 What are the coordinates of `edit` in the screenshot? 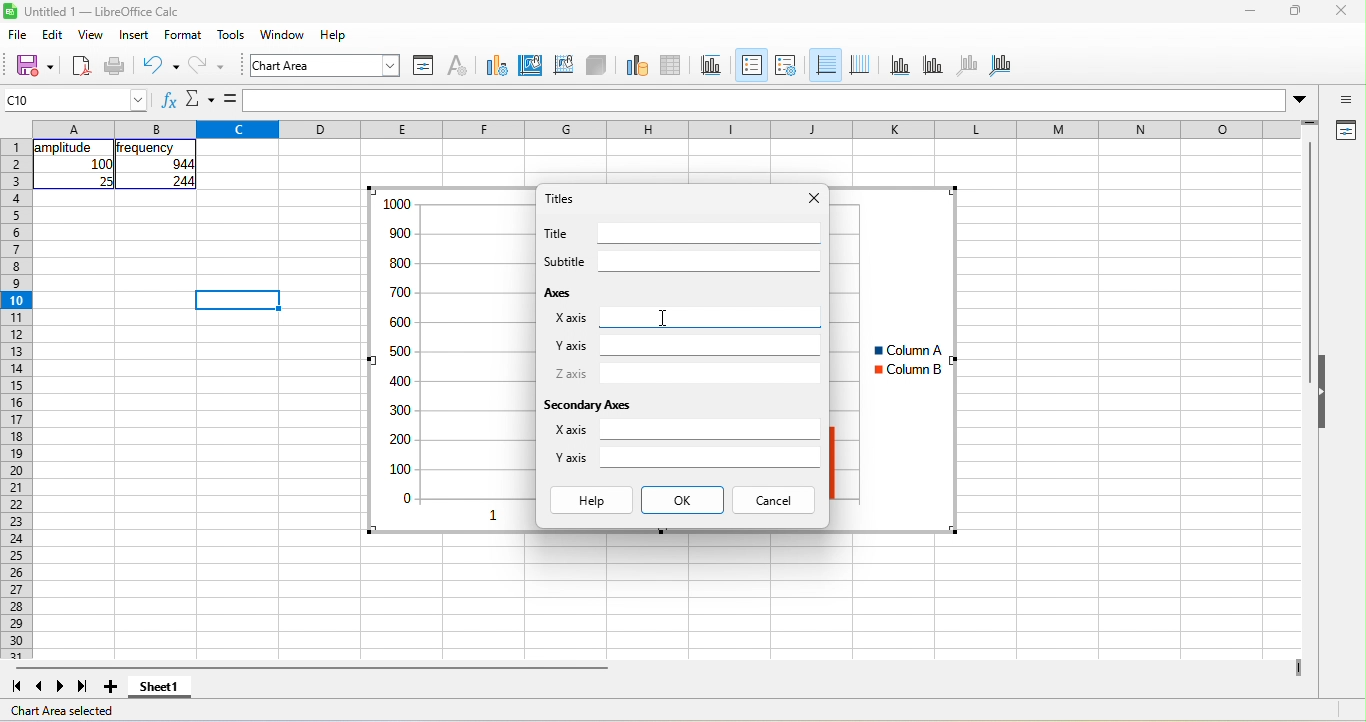 It's located at (53, 34).